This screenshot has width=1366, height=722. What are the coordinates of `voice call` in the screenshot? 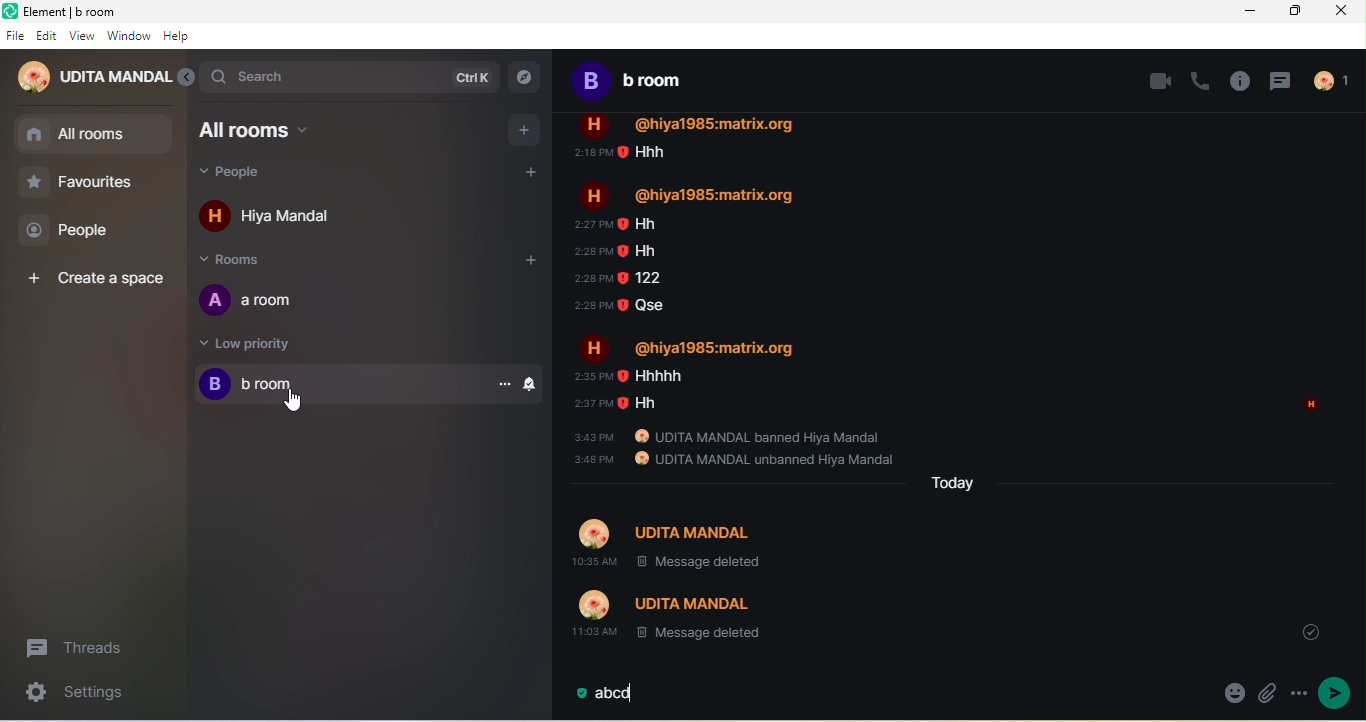 It's located at (1201, 80).